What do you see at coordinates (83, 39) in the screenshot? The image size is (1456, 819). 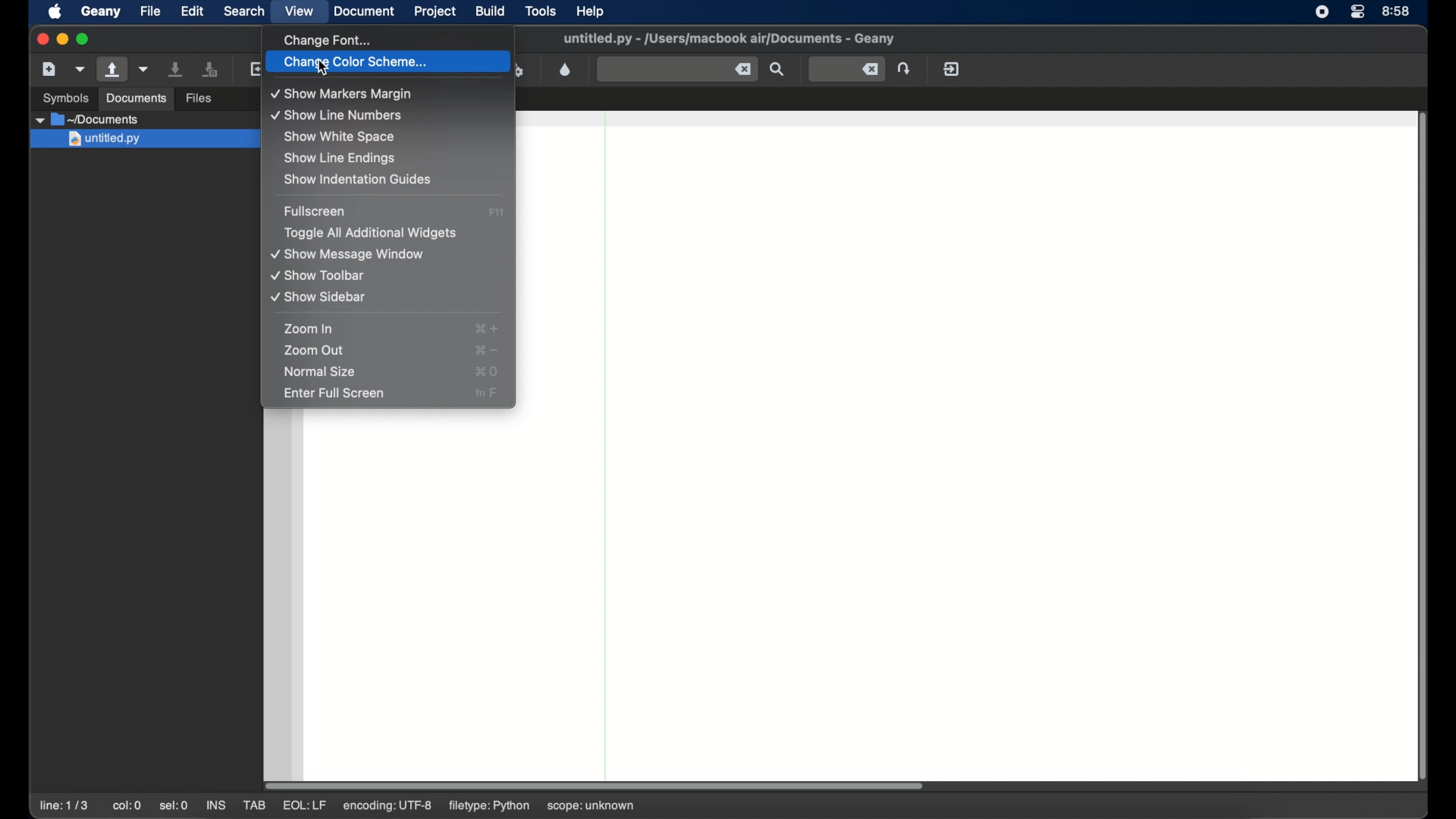 I see `maximize` at bounding box center [83, 39].